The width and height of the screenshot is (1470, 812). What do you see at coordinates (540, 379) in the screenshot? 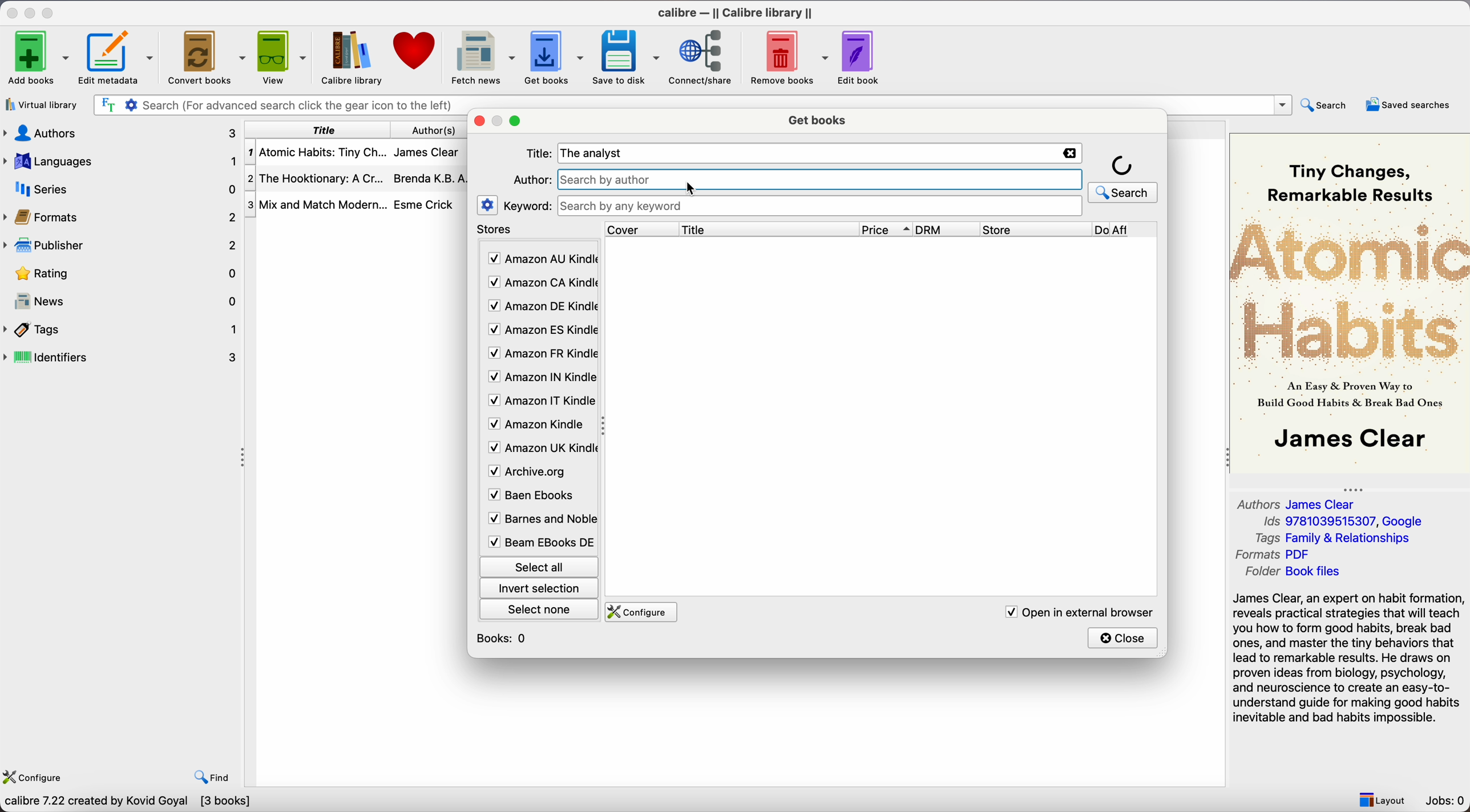
I see `Amazon IN Kindle` at bounding box center [540, 379].